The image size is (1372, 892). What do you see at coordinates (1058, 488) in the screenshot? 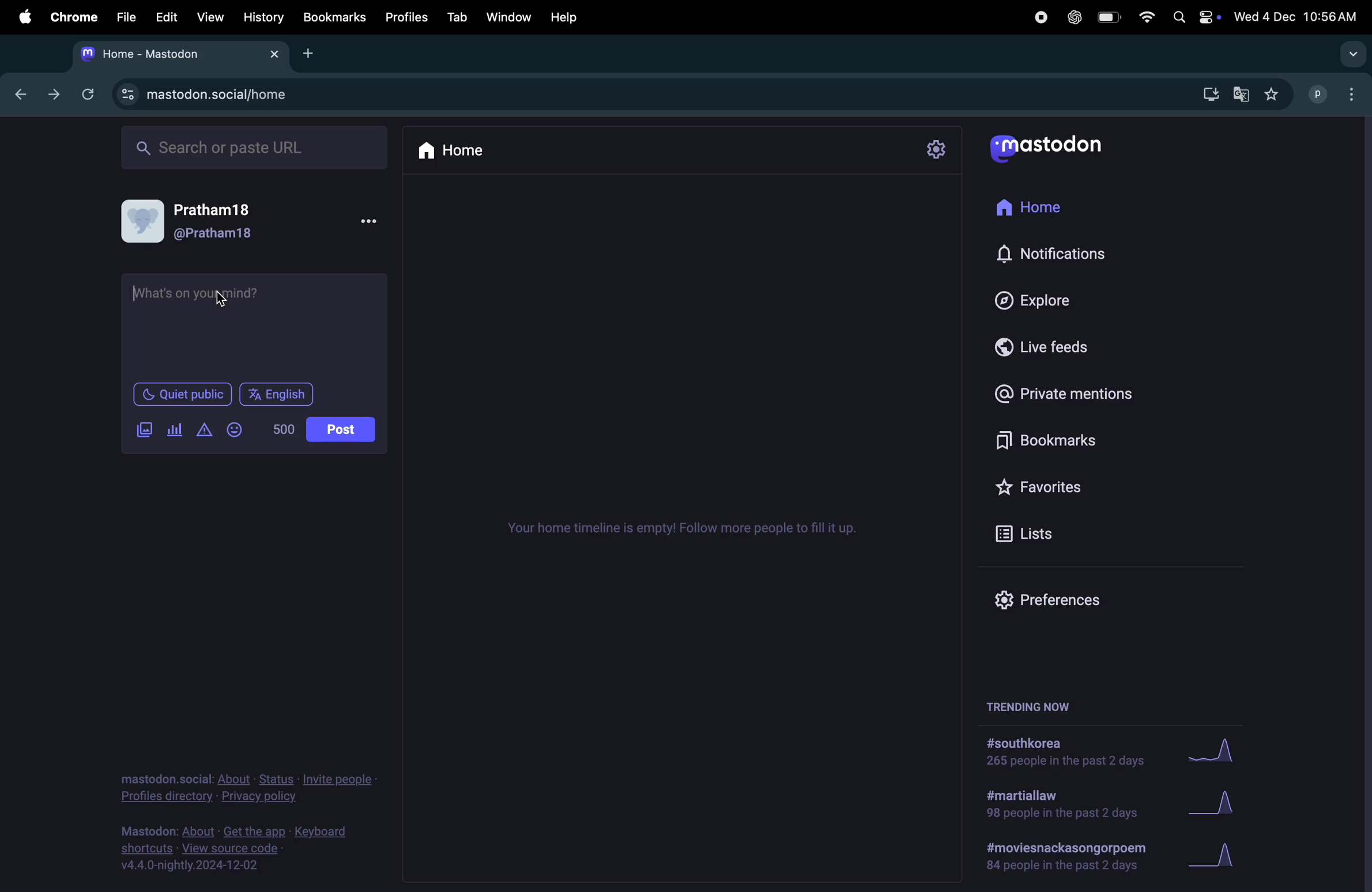
I see `favourites` at bounding box center [1058, 488].